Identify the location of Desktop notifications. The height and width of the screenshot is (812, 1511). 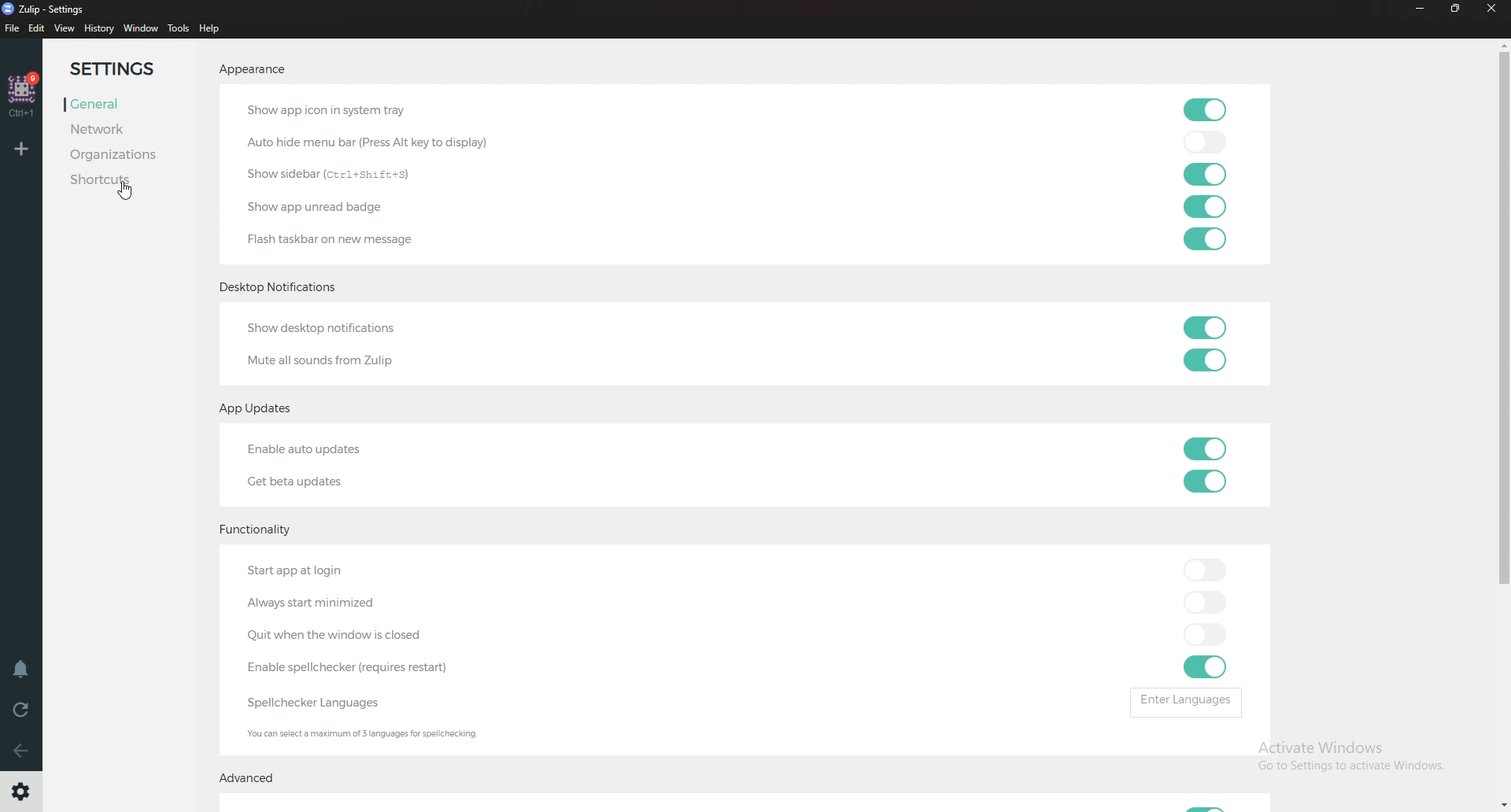
(280, 290).